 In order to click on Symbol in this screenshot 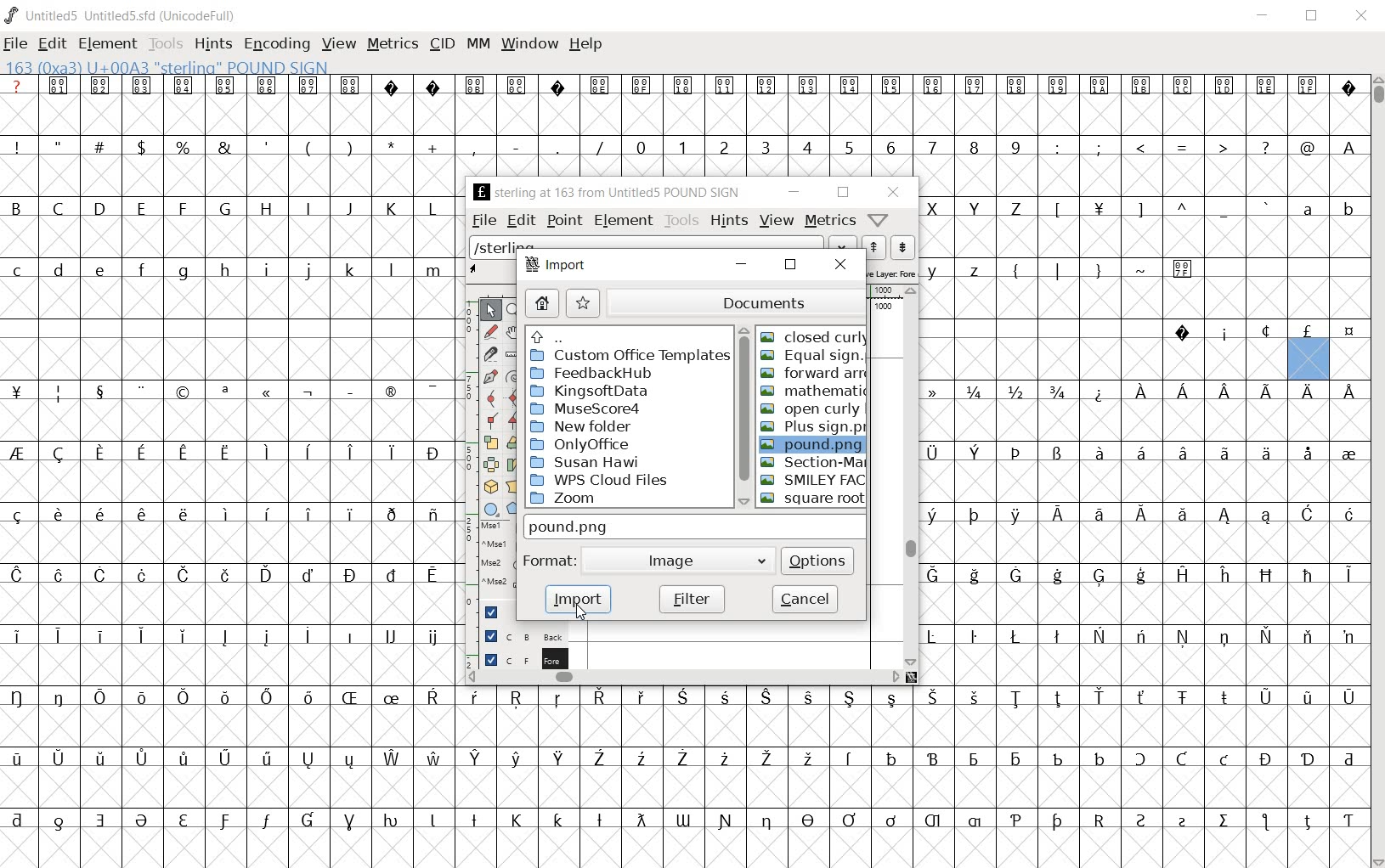, I will do `click(1264, 331)`.